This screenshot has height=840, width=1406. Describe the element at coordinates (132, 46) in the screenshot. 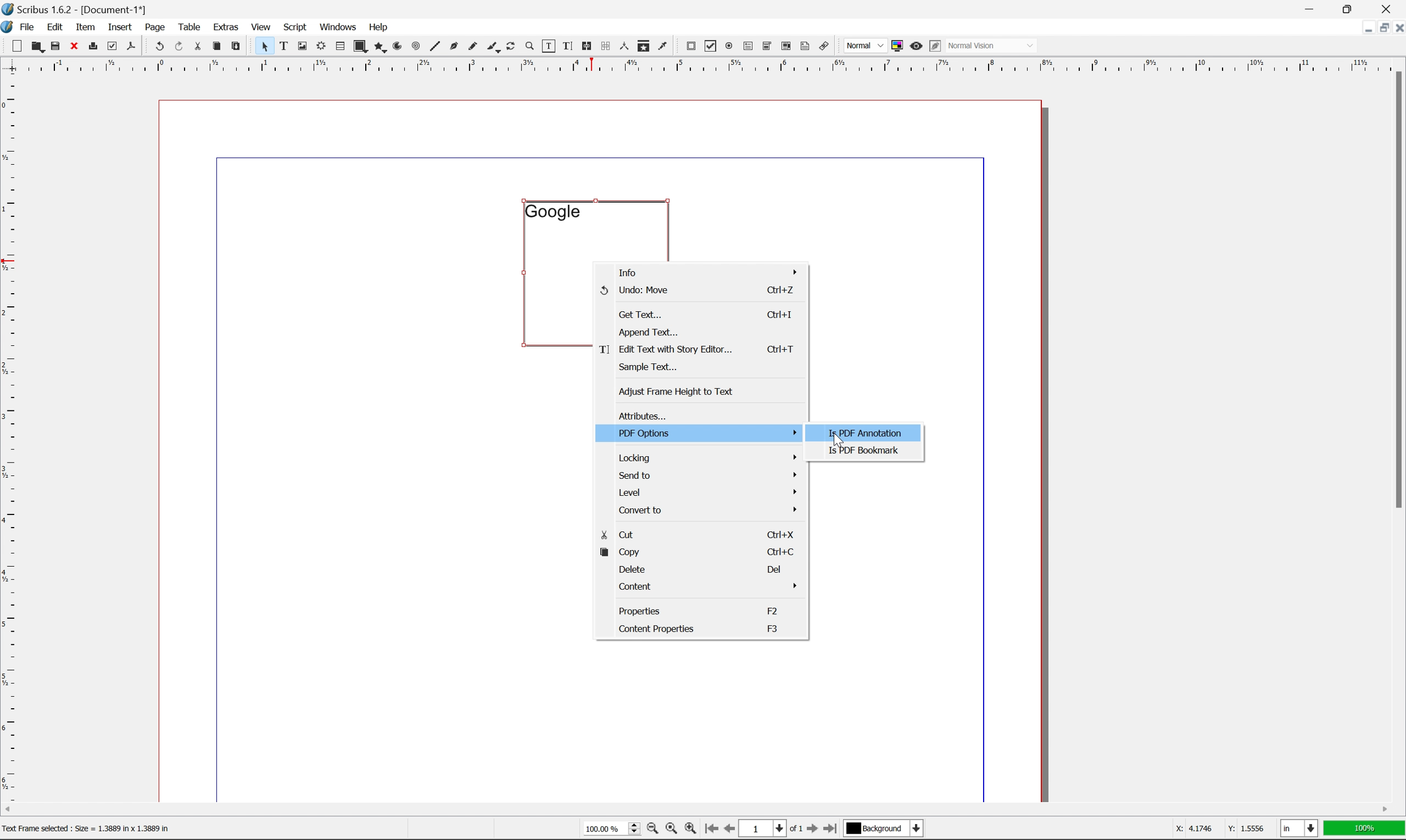

I see `save as pdf` at that location.